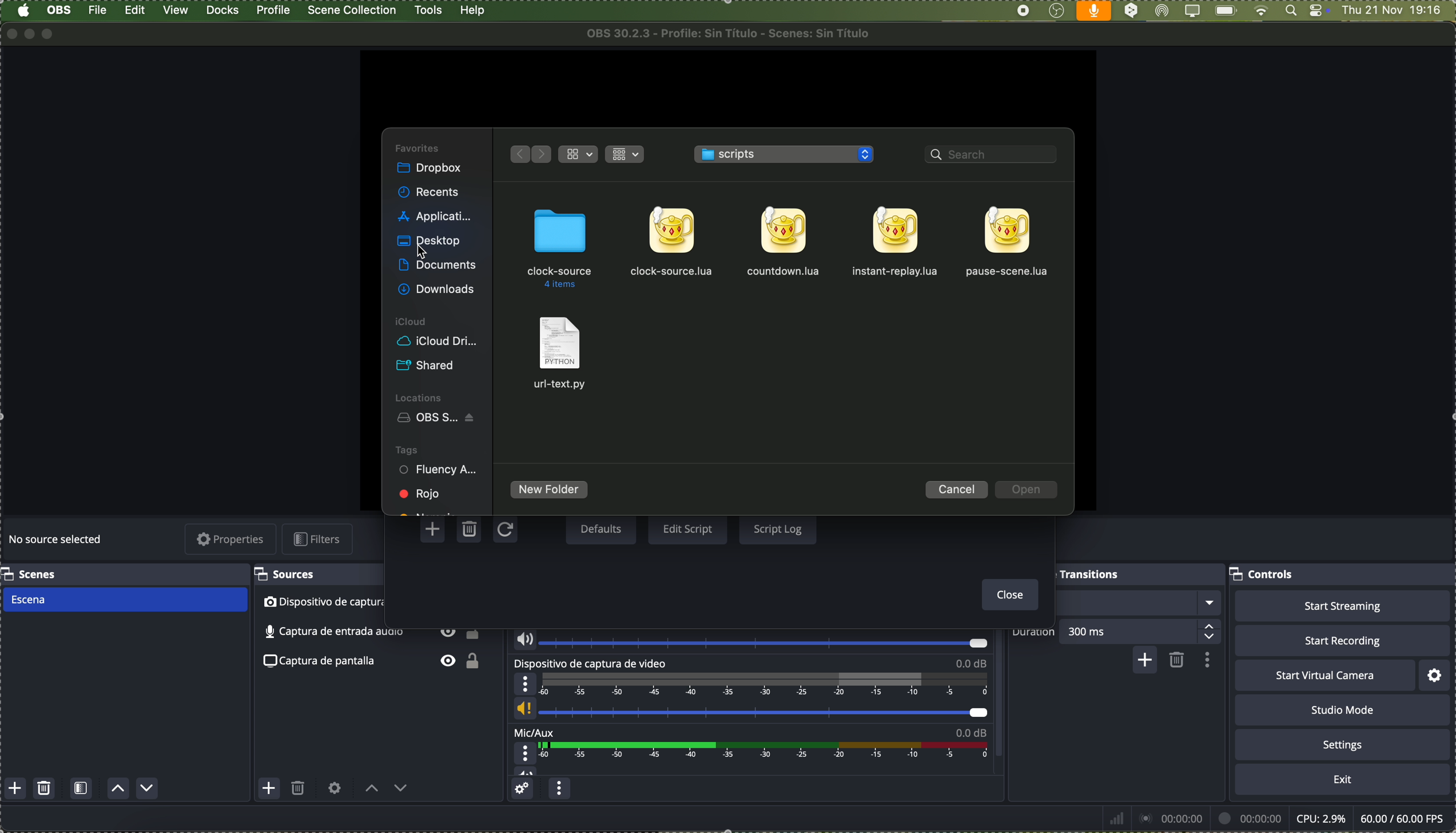 The image size is (1456, 833). What do you see at coordinates (747, 752) in the screenshot?
I see `Mic/Aux` at bounding box center [747, 752].